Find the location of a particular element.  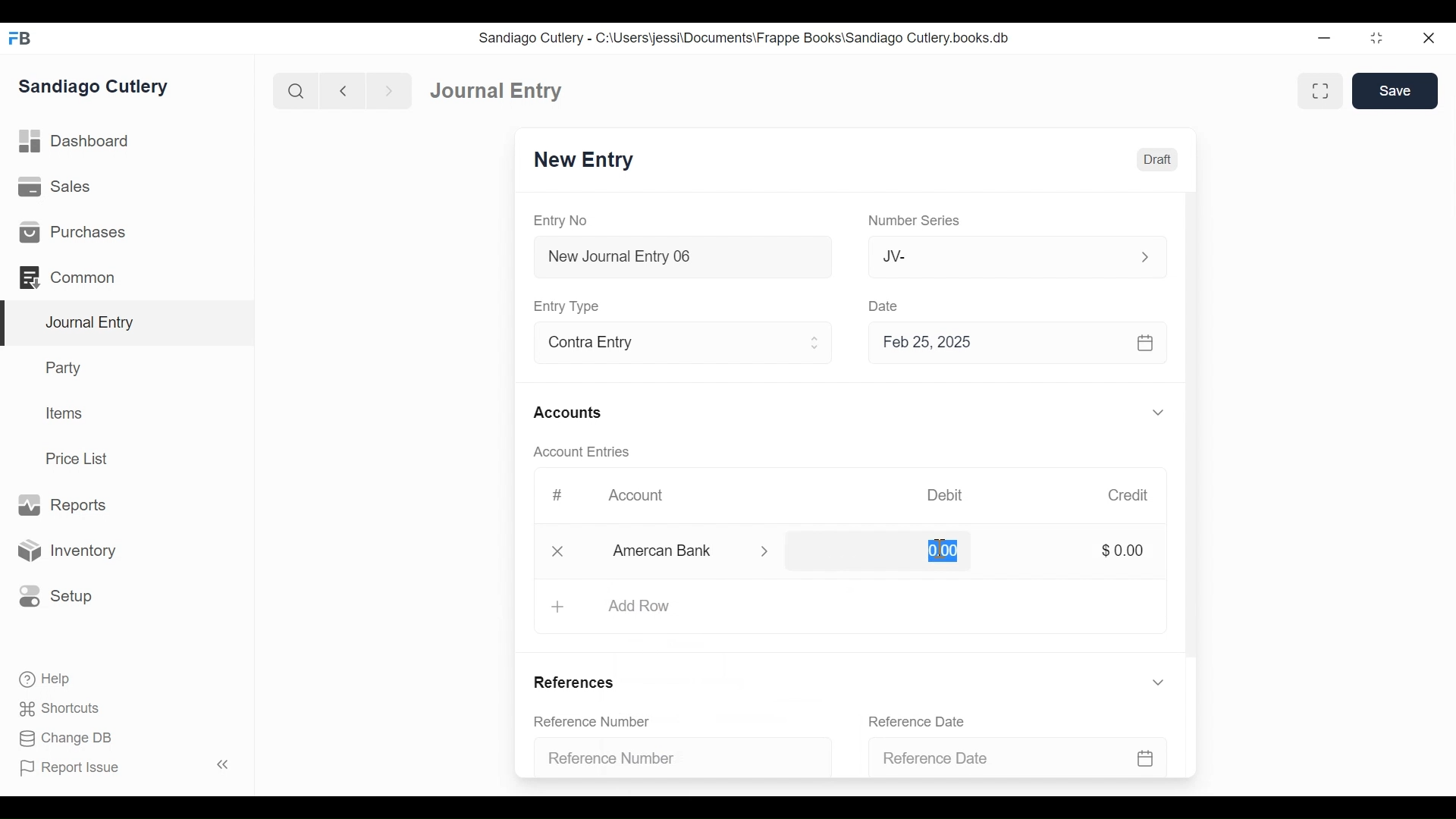

Sandiago Cutlery is located at coordinates (96, 87).